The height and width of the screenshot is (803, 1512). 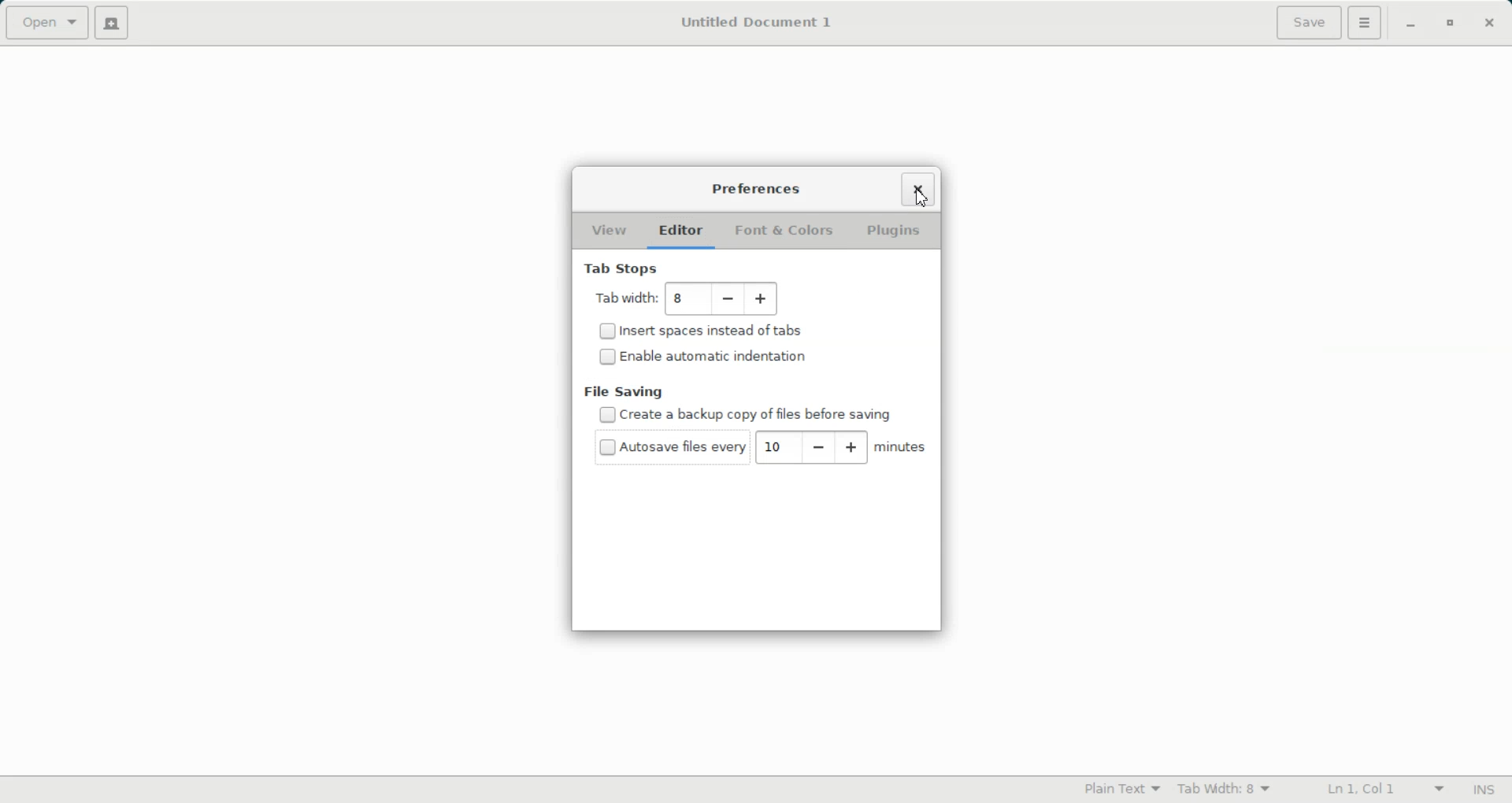 What do you see at coordinates (900, 448) in the screenshot?
I see `Minutes` at bounding box center [900, 448].